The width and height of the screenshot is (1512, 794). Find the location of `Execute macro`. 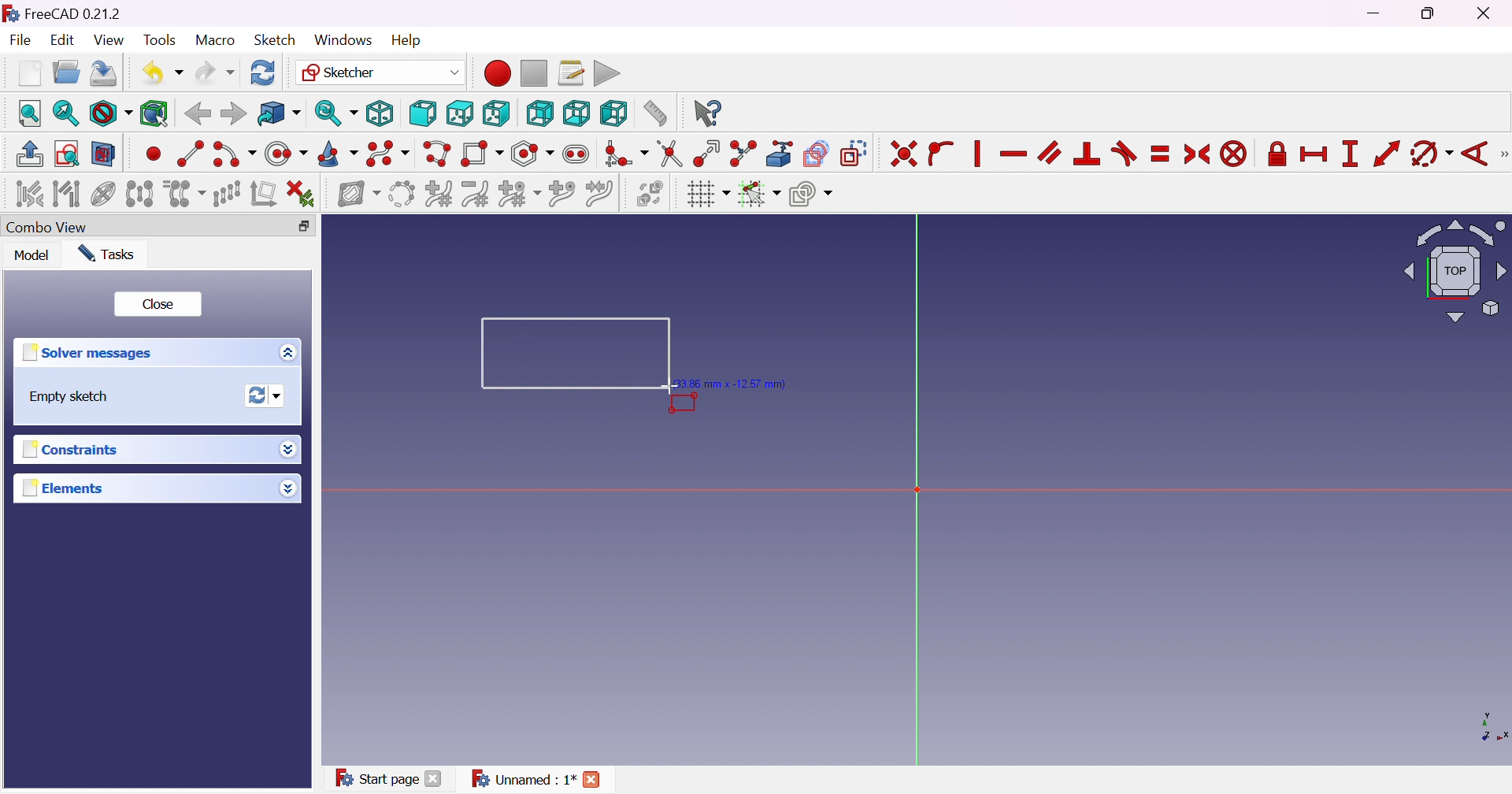

Execute macro is located at coordinates (608, 72).